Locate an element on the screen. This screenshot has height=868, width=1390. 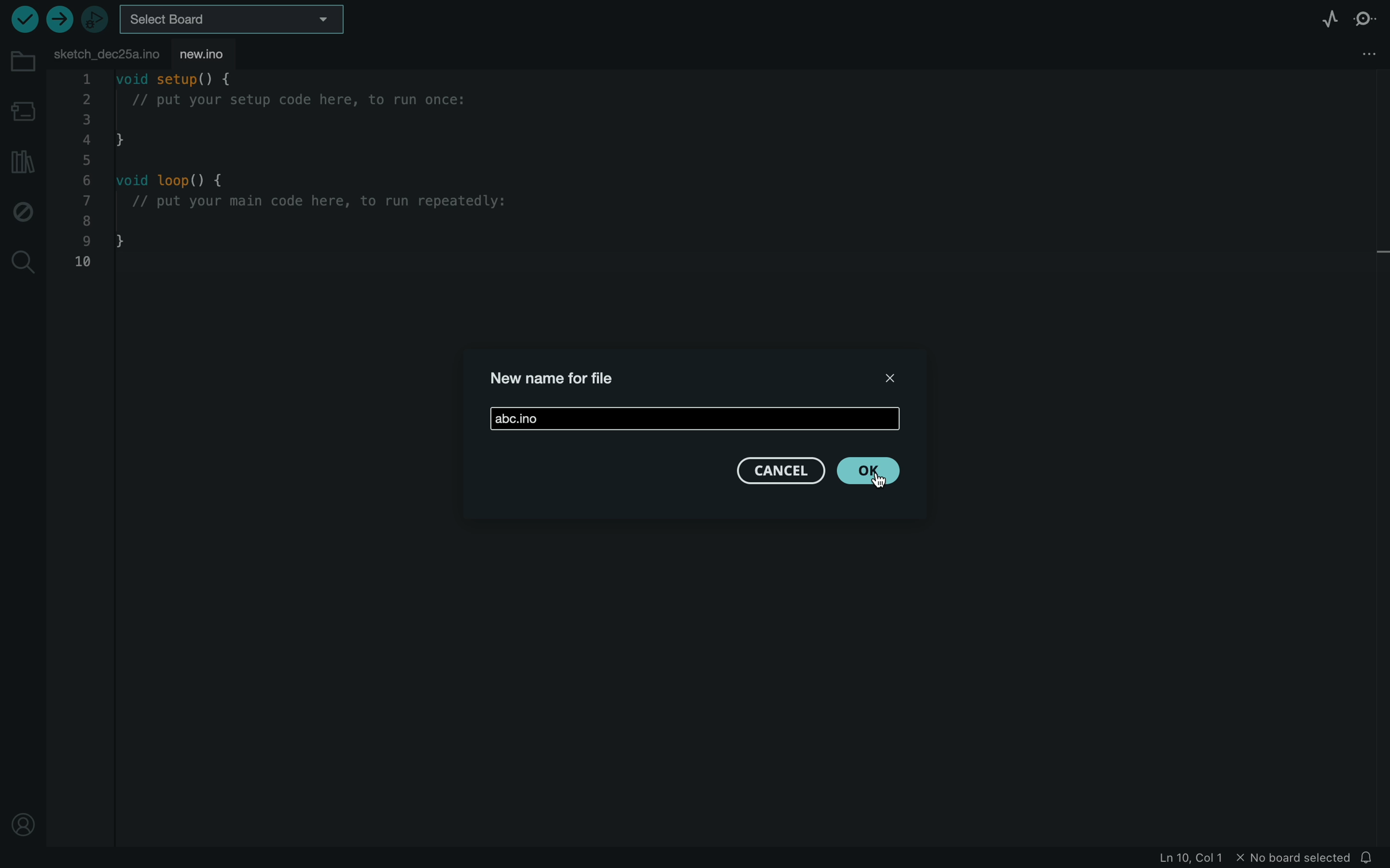
file setting is located at coordinates (1358, 53).